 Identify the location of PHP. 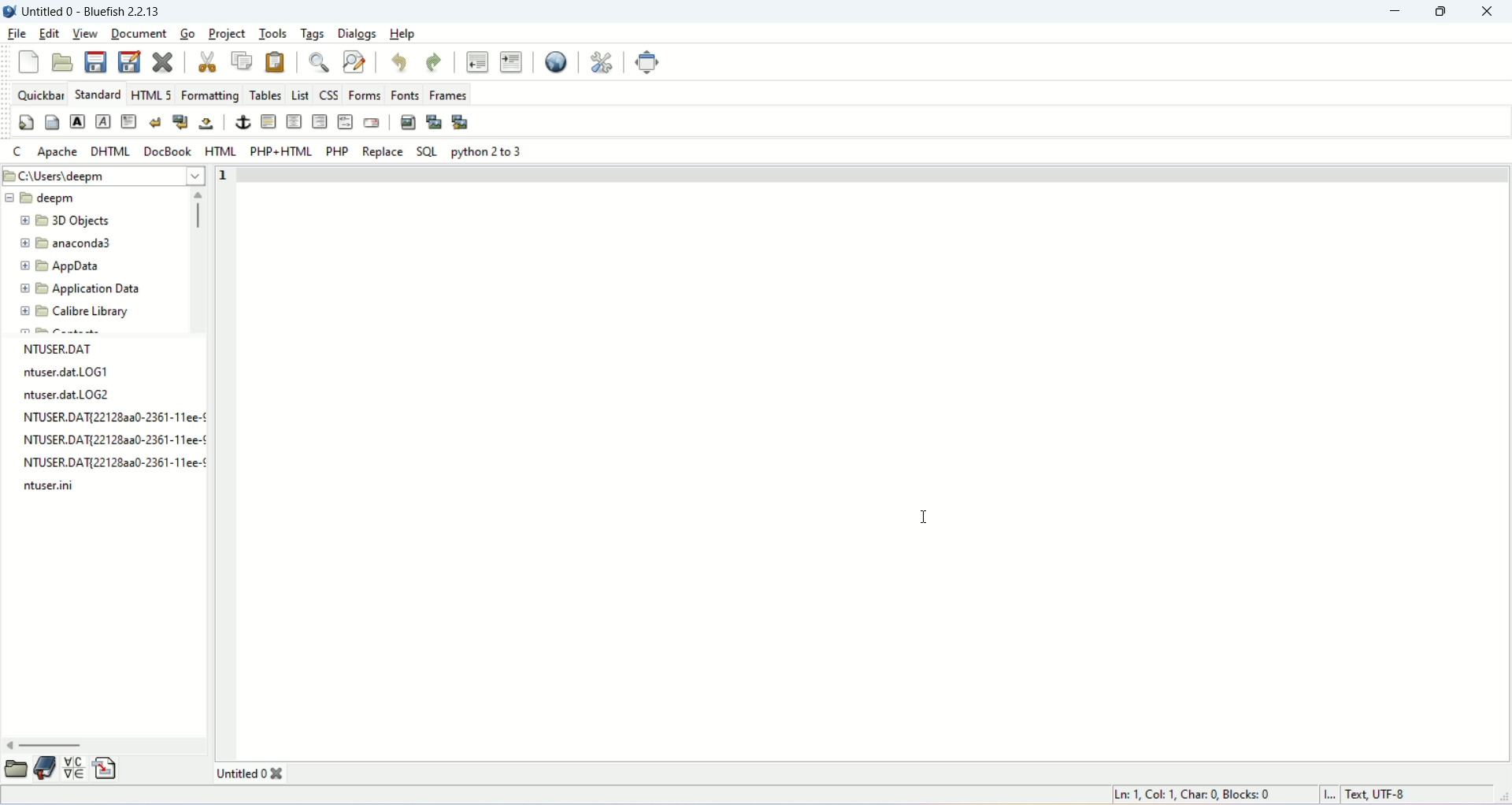
(337, 151).